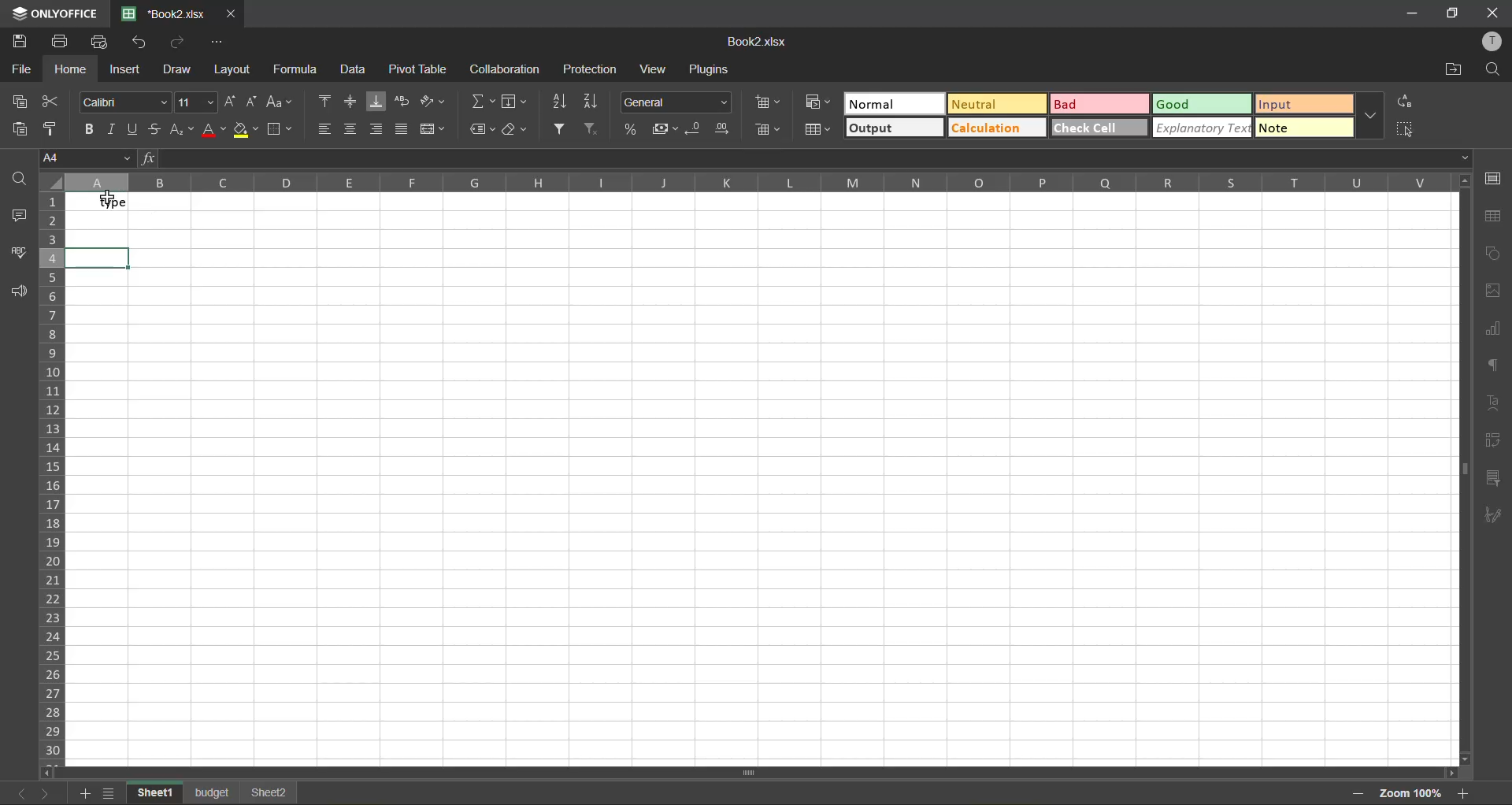 This screenshot has height=805, width=1512. Describe the element at coordinates (1199, 128) in the screenshot. I see `explanatory text` at that location.